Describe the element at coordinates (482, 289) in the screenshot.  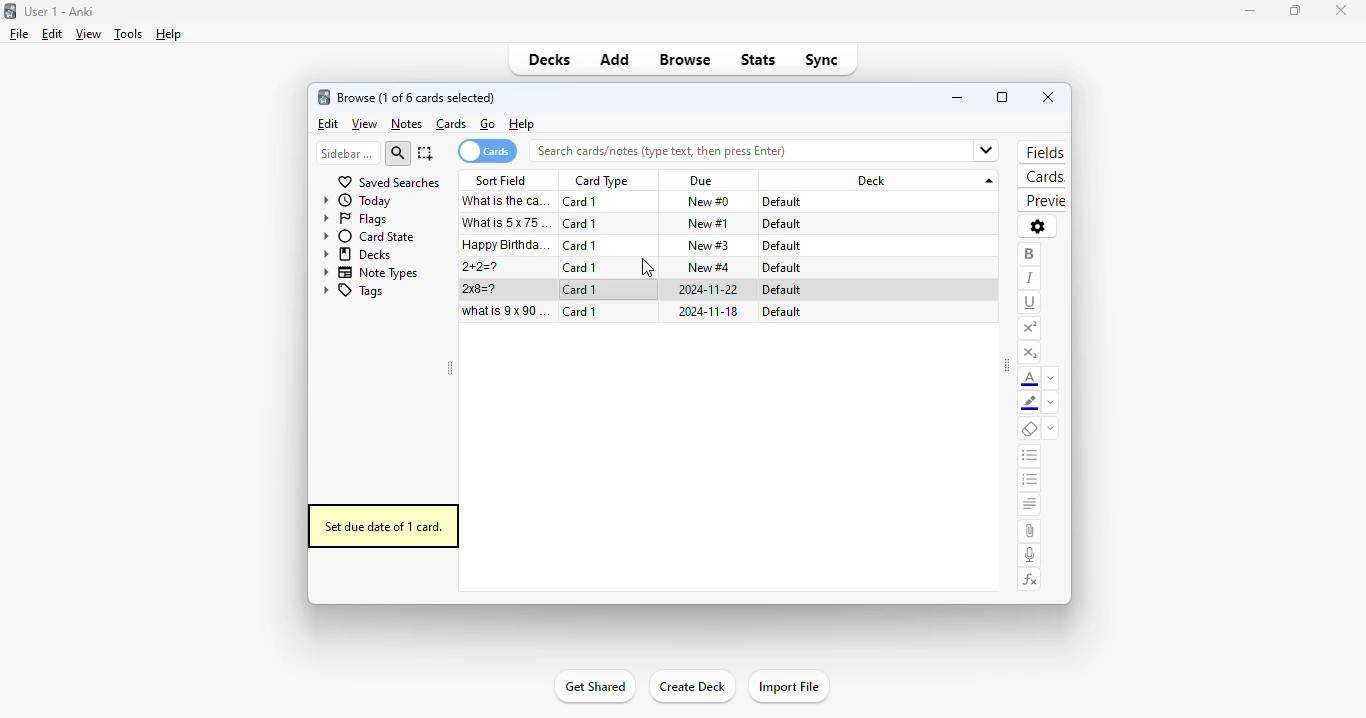
I see `2x8=?` at that location.